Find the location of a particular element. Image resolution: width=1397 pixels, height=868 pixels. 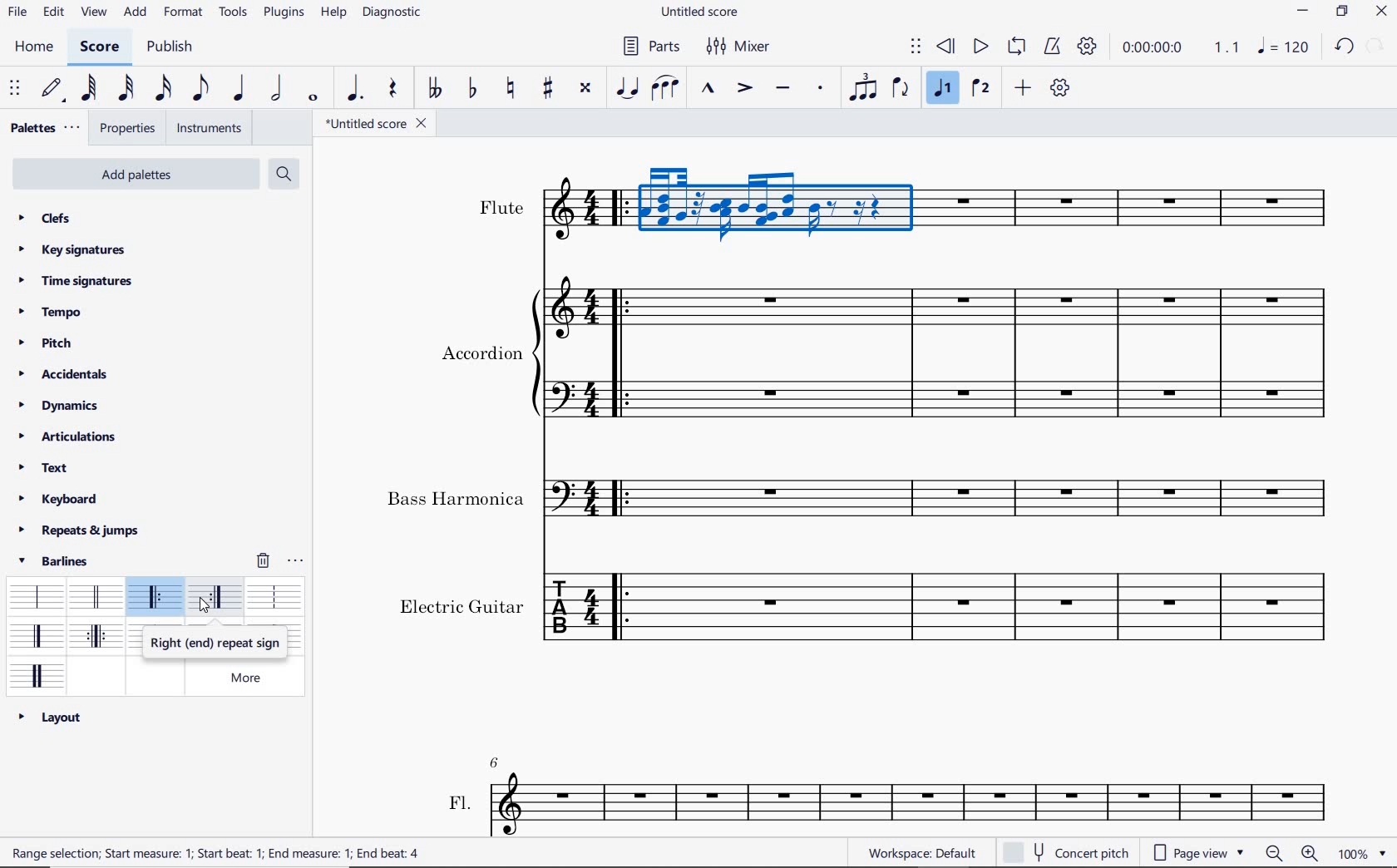

toggle double-flat is located at coordinates (434, 89).